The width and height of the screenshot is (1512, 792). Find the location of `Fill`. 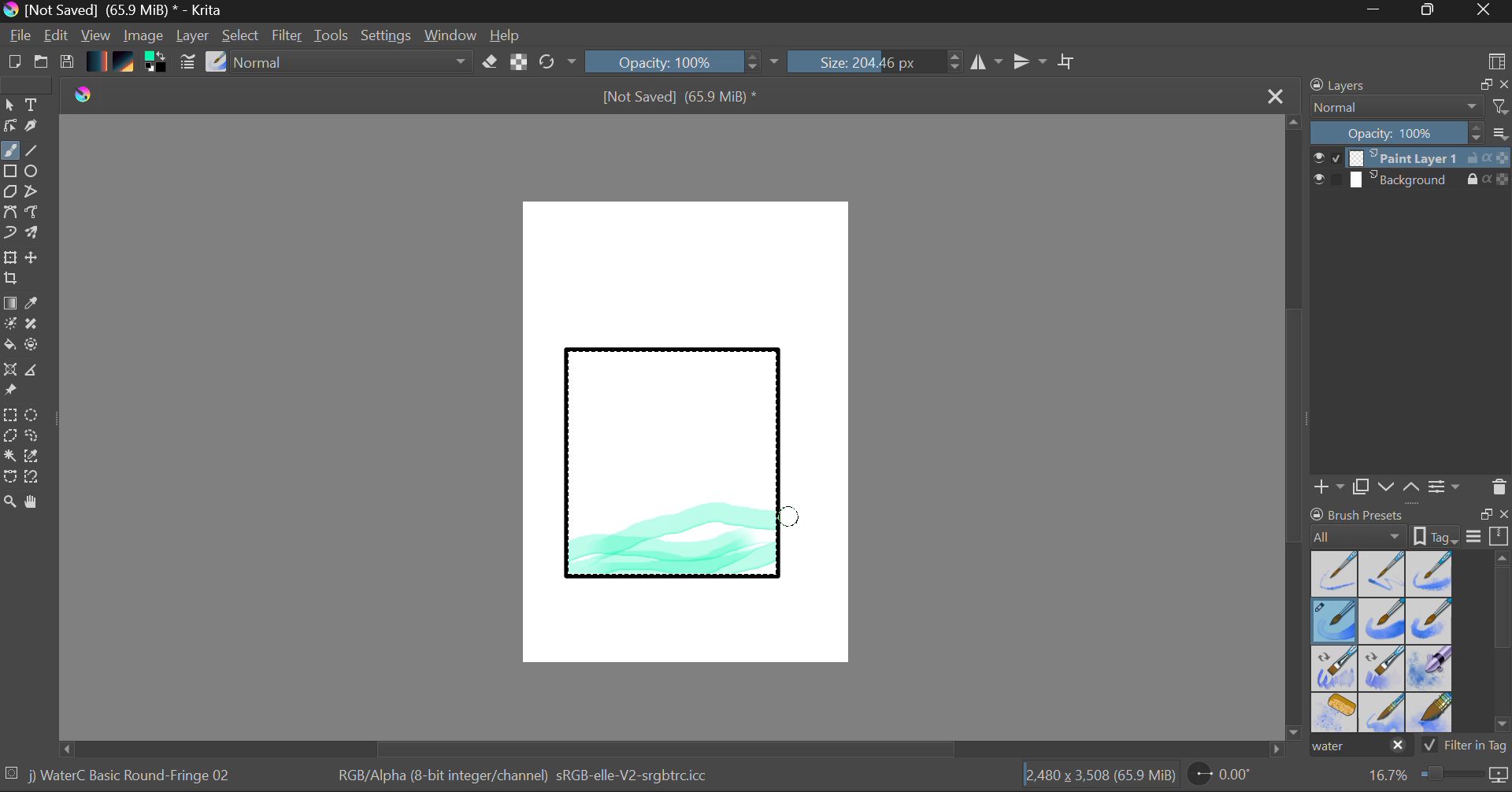

Fill is located at coordinates (9, 347).